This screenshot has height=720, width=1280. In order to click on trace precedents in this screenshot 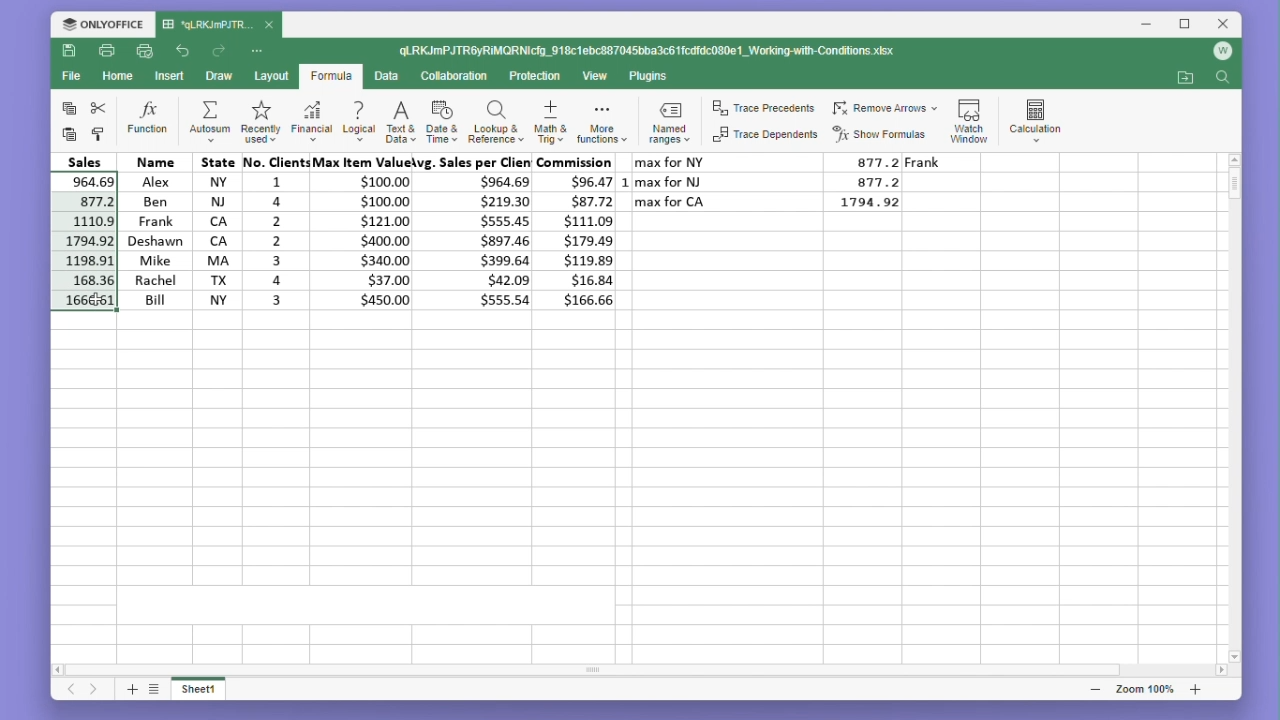, I will do `click(766, 110)`.